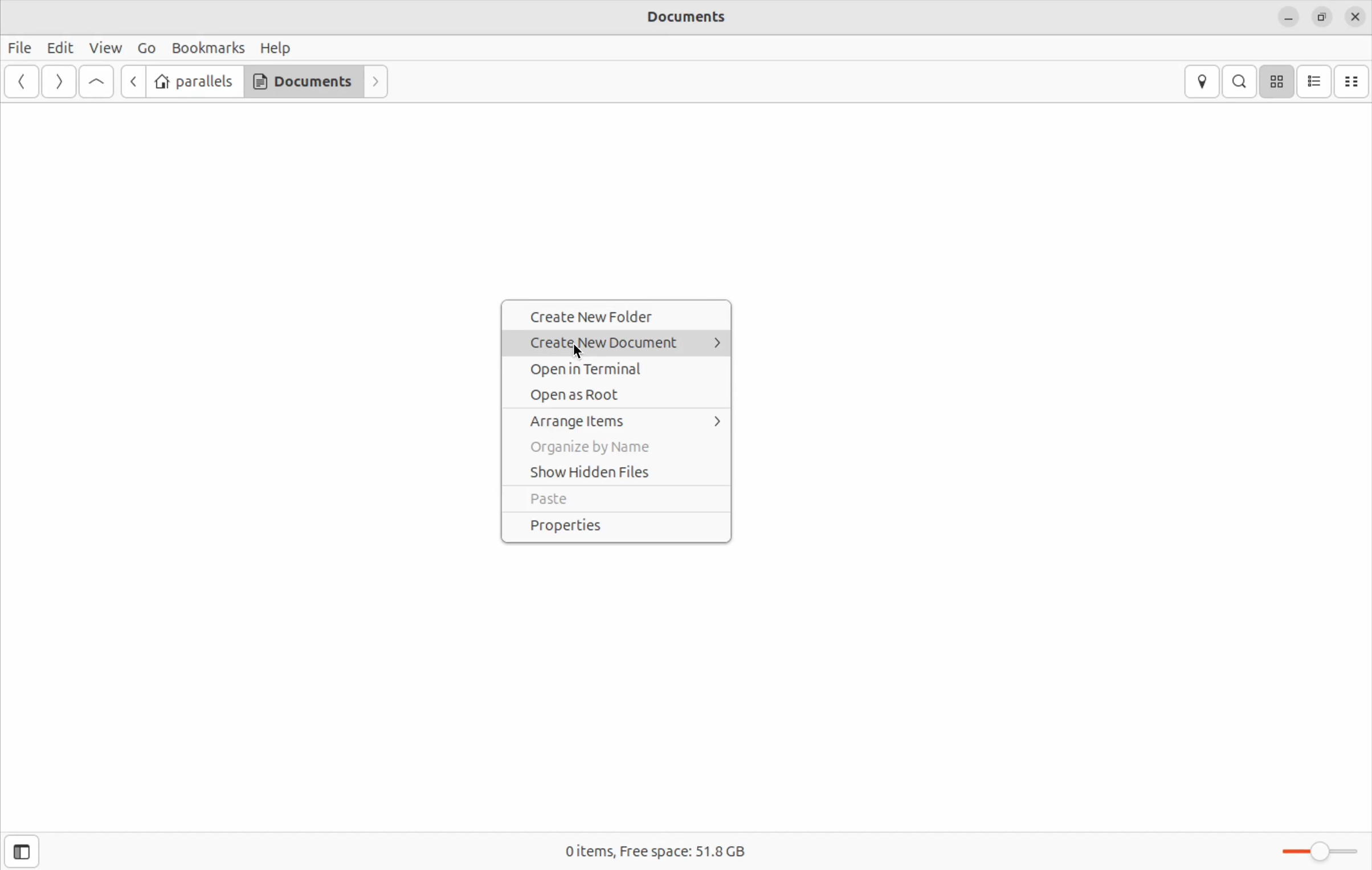  I want to click on next, so click(57, 82).